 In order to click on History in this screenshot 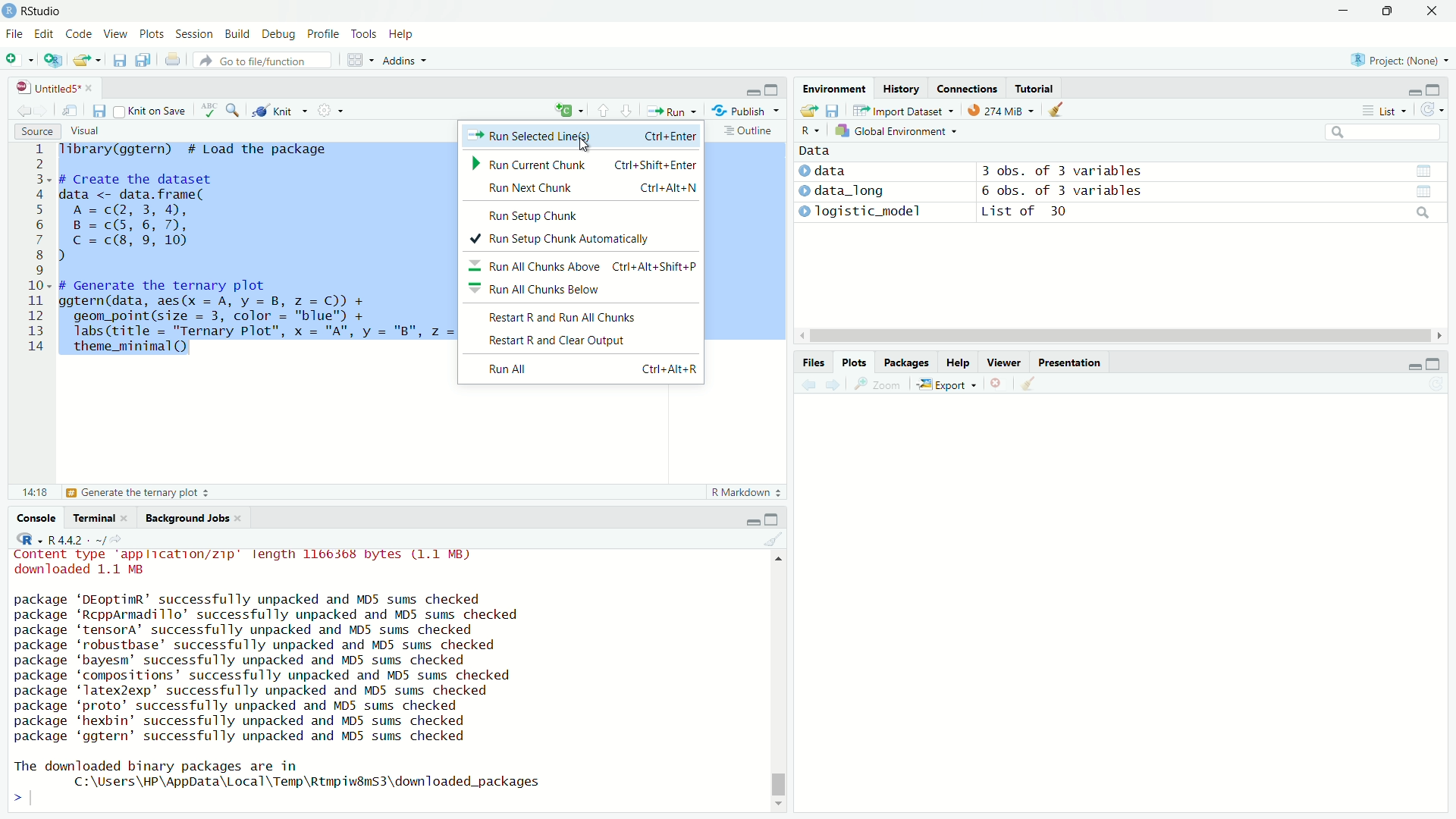, I will do `click(900, 89)`.